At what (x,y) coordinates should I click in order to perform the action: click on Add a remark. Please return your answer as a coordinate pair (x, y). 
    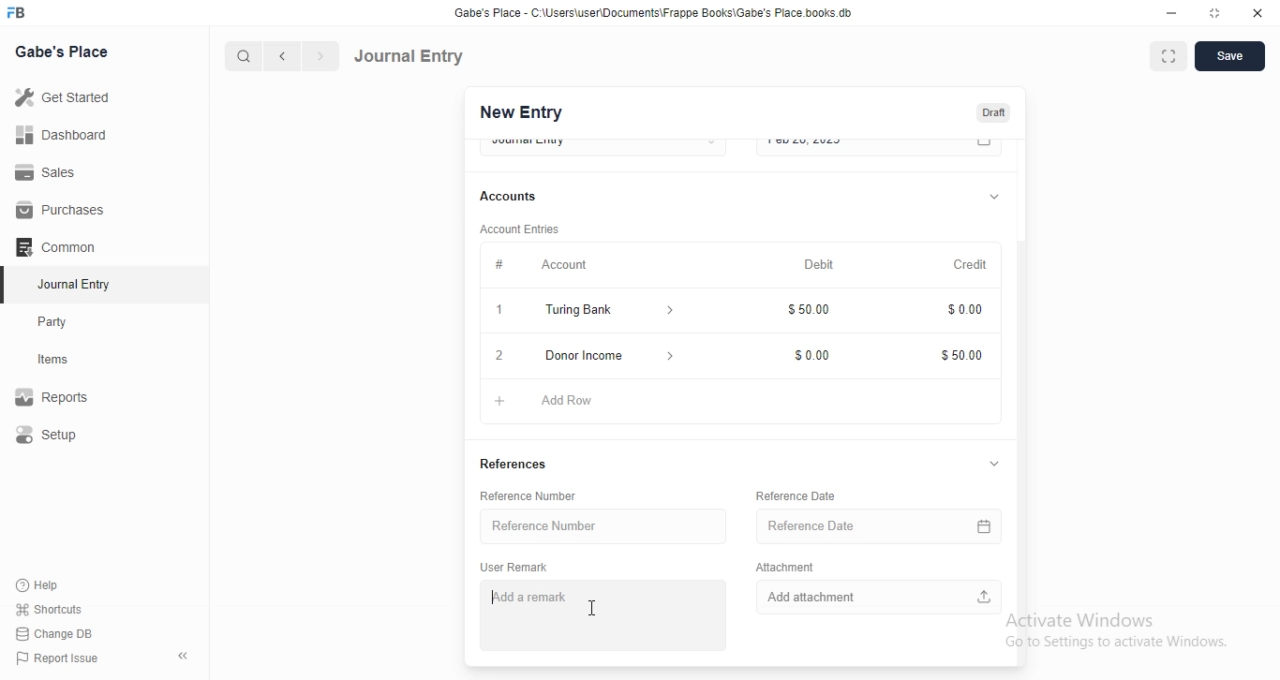
    Looking at the image, I should click on (601, 613).